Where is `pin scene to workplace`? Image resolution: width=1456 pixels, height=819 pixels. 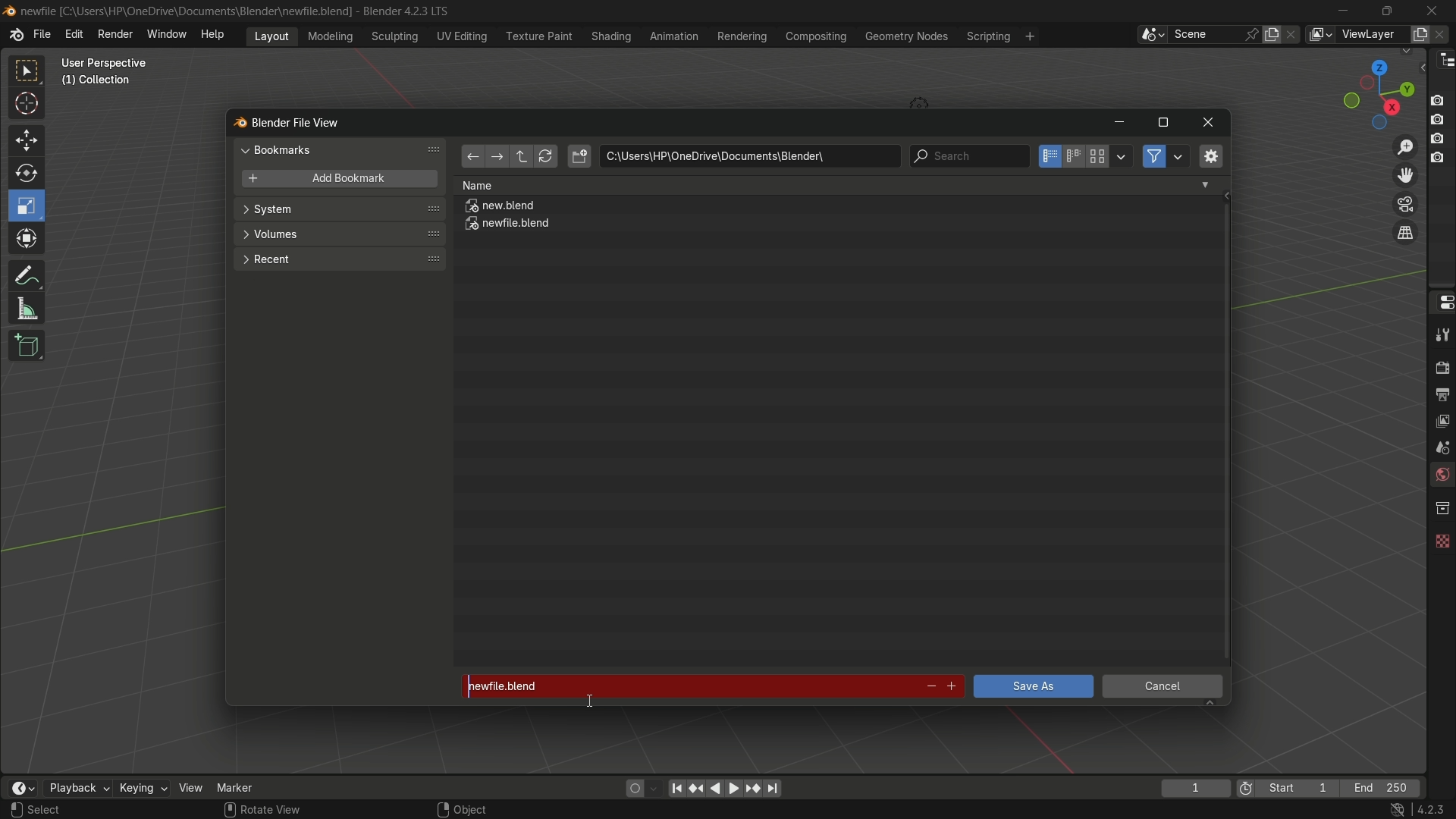 pin scene to workplace is located at coordinates (1254, 34).